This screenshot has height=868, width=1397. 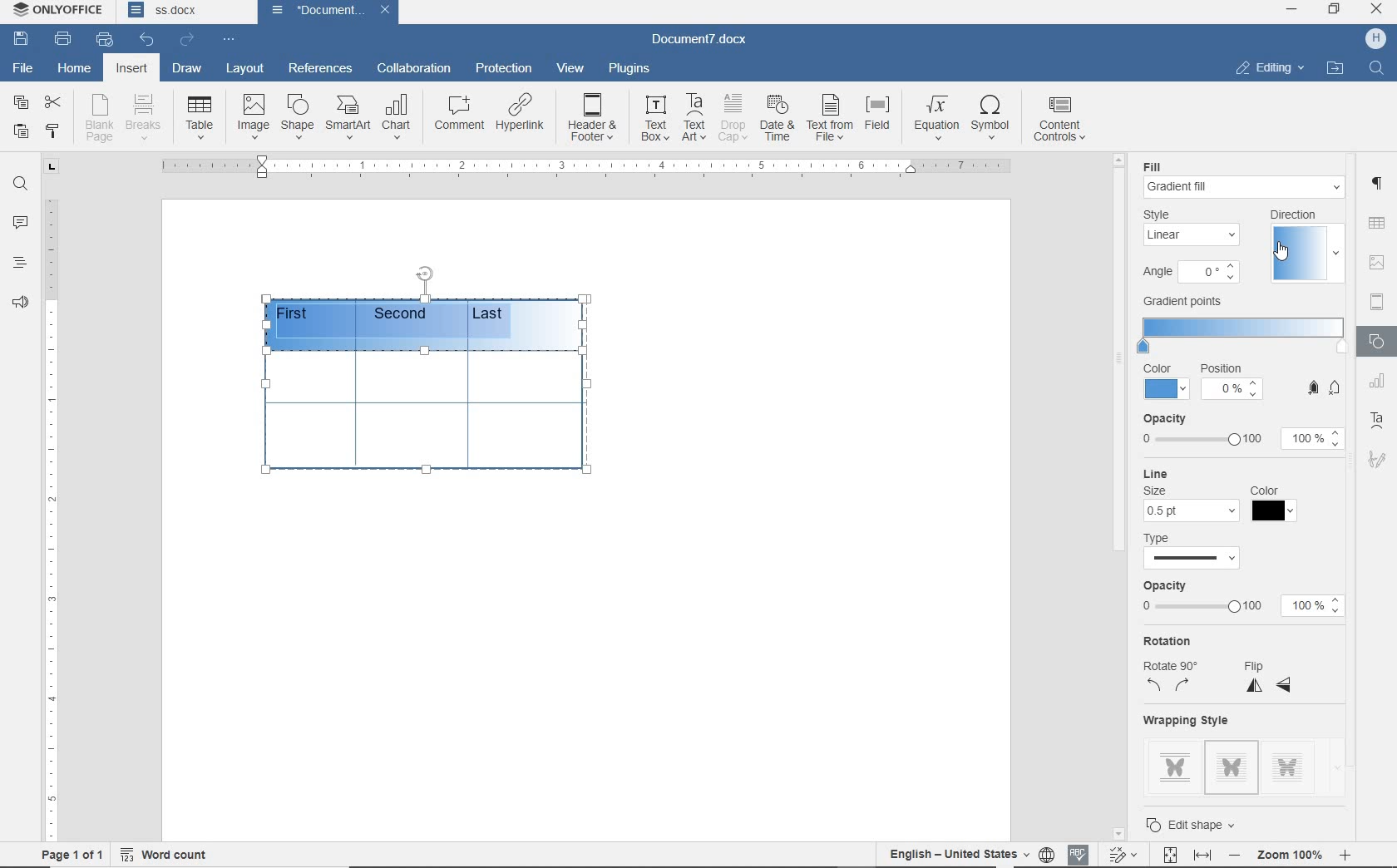 I want to click on opacity, so click(x=1163, y=416).